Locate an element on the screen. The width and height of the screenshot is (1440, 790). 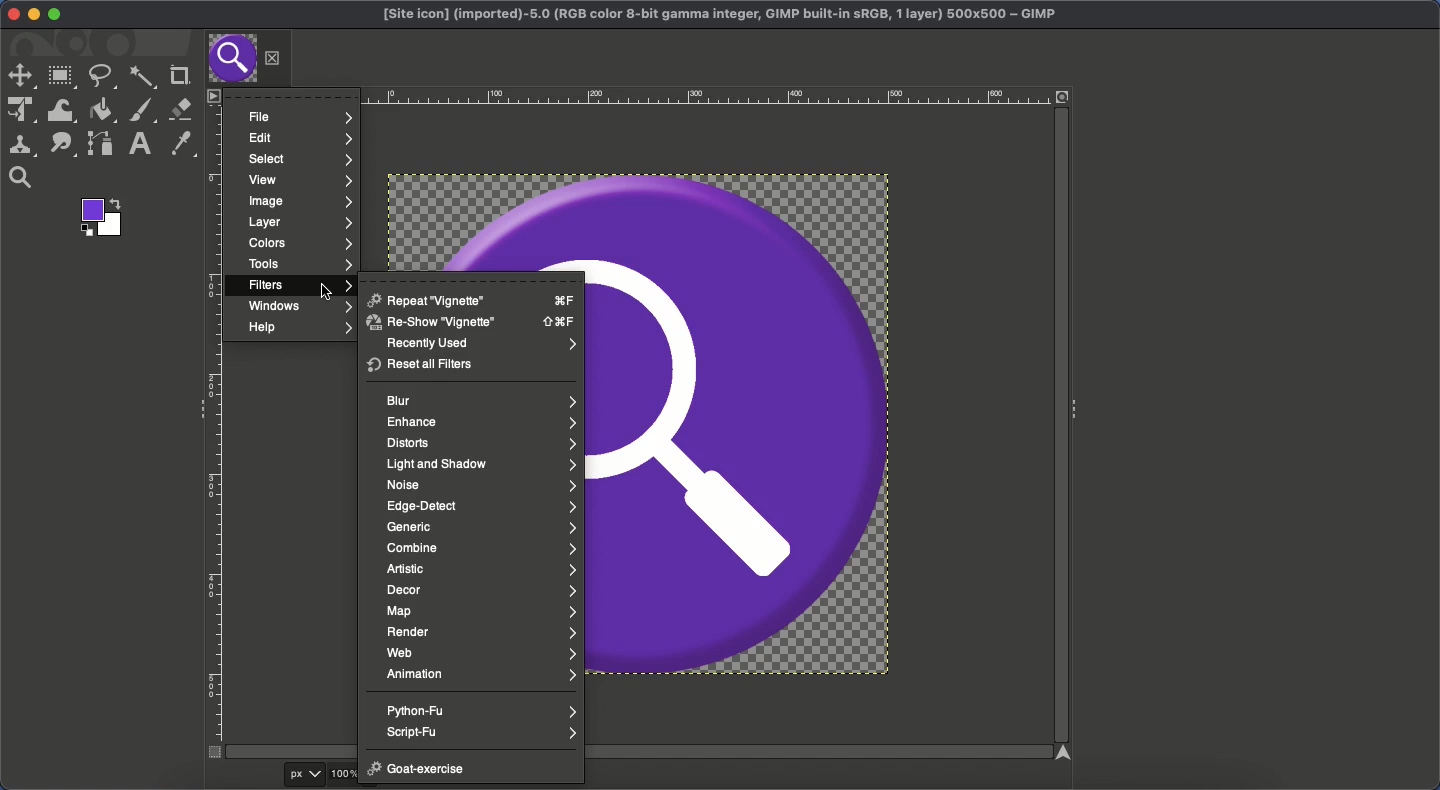
Scroll is located at coordinates (1058, 427).